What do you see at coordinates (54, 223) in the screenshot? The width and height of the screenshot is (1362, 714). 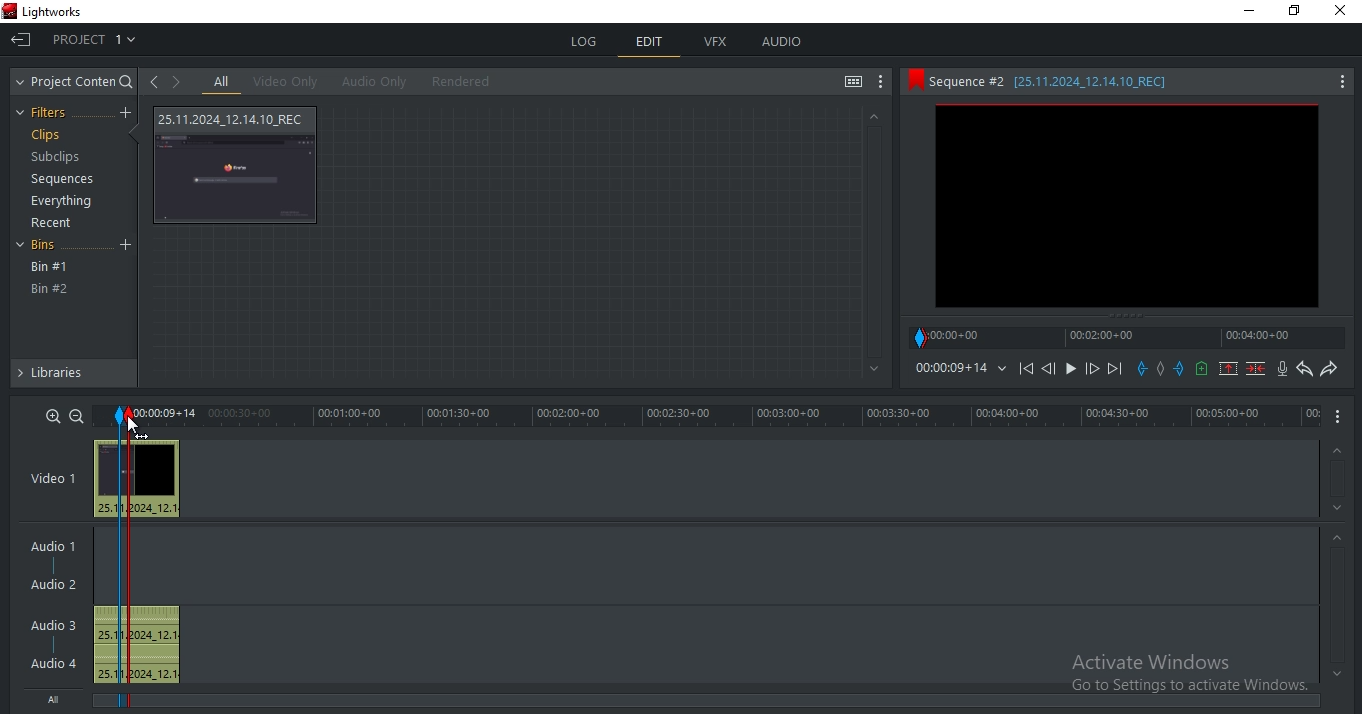 I see `recent` at bounding box center [54, 223].